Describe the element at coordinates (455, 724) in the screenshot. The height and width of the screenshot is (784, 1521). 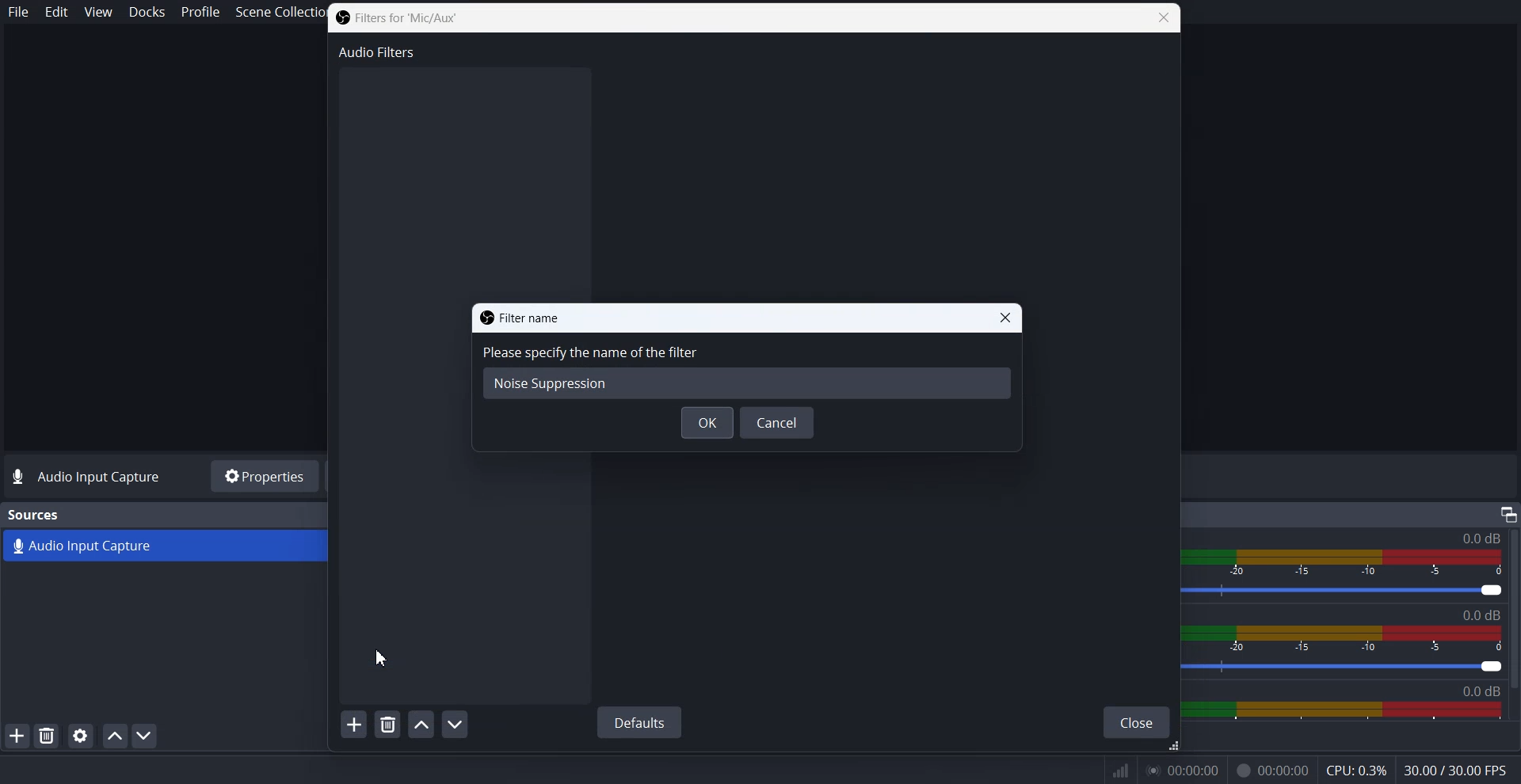
I see `Move filter down` at that location.